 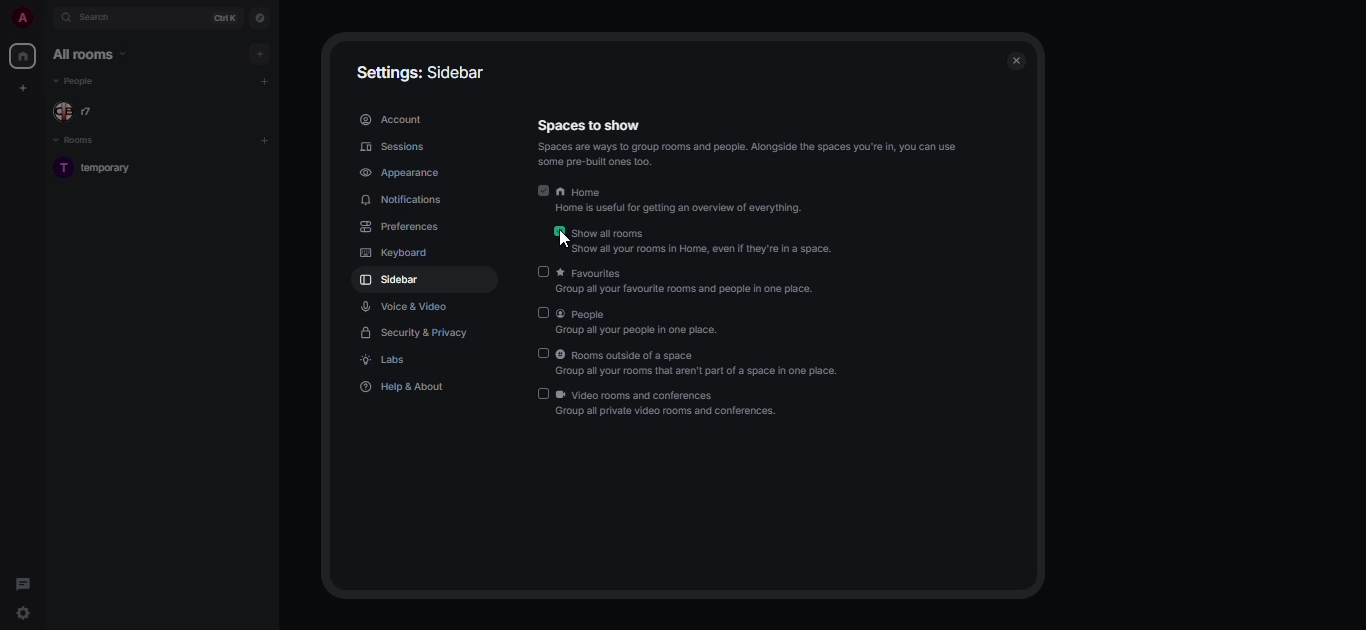 I want to click on favorites, so click(x=694, y=279).